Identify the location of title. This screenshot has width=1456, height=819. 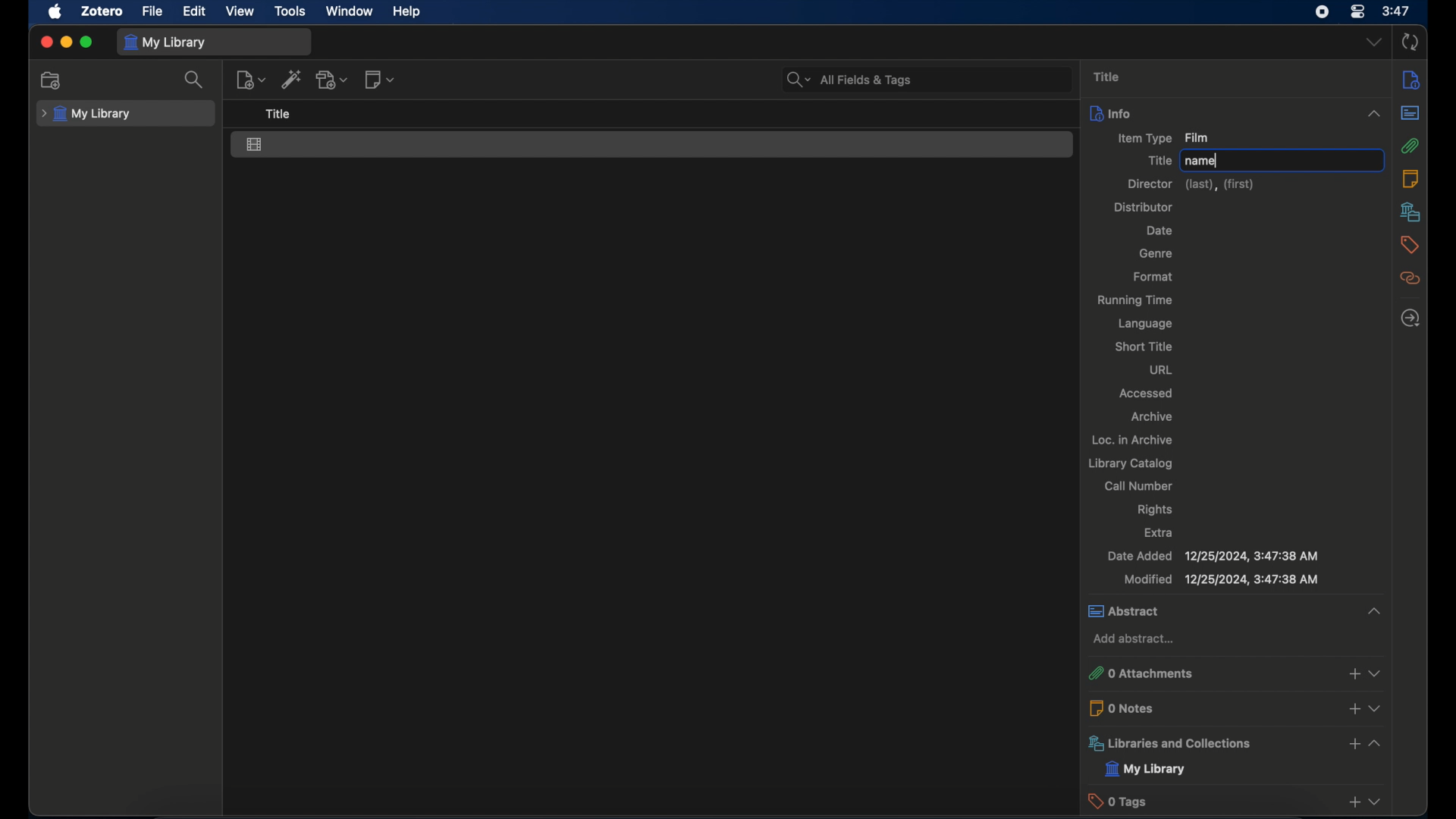
(1106, 77).